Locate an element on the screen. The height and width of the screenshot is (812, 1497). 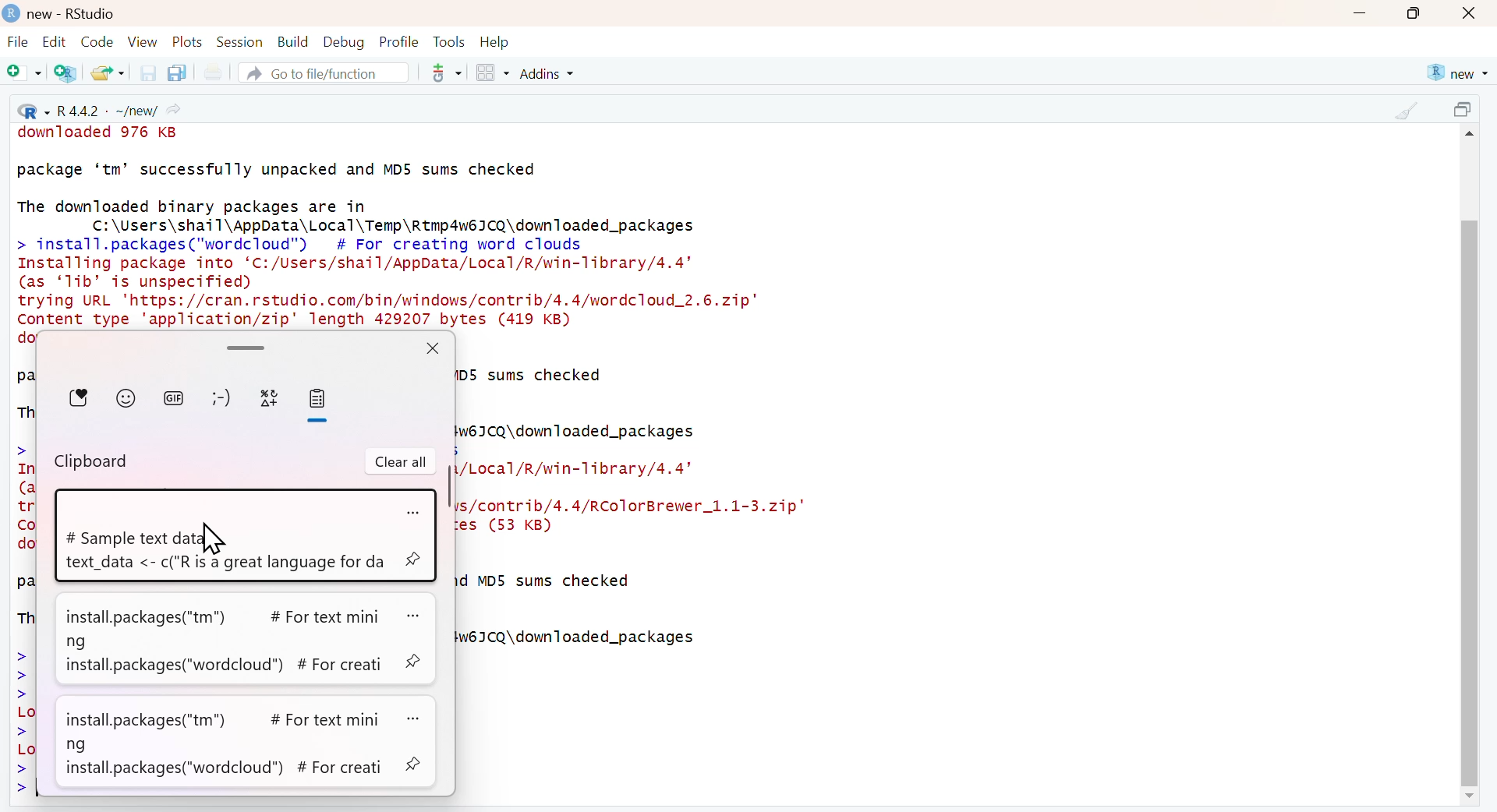
R 4.4.2 - ~/new/ is located at coordinates (97, 108).